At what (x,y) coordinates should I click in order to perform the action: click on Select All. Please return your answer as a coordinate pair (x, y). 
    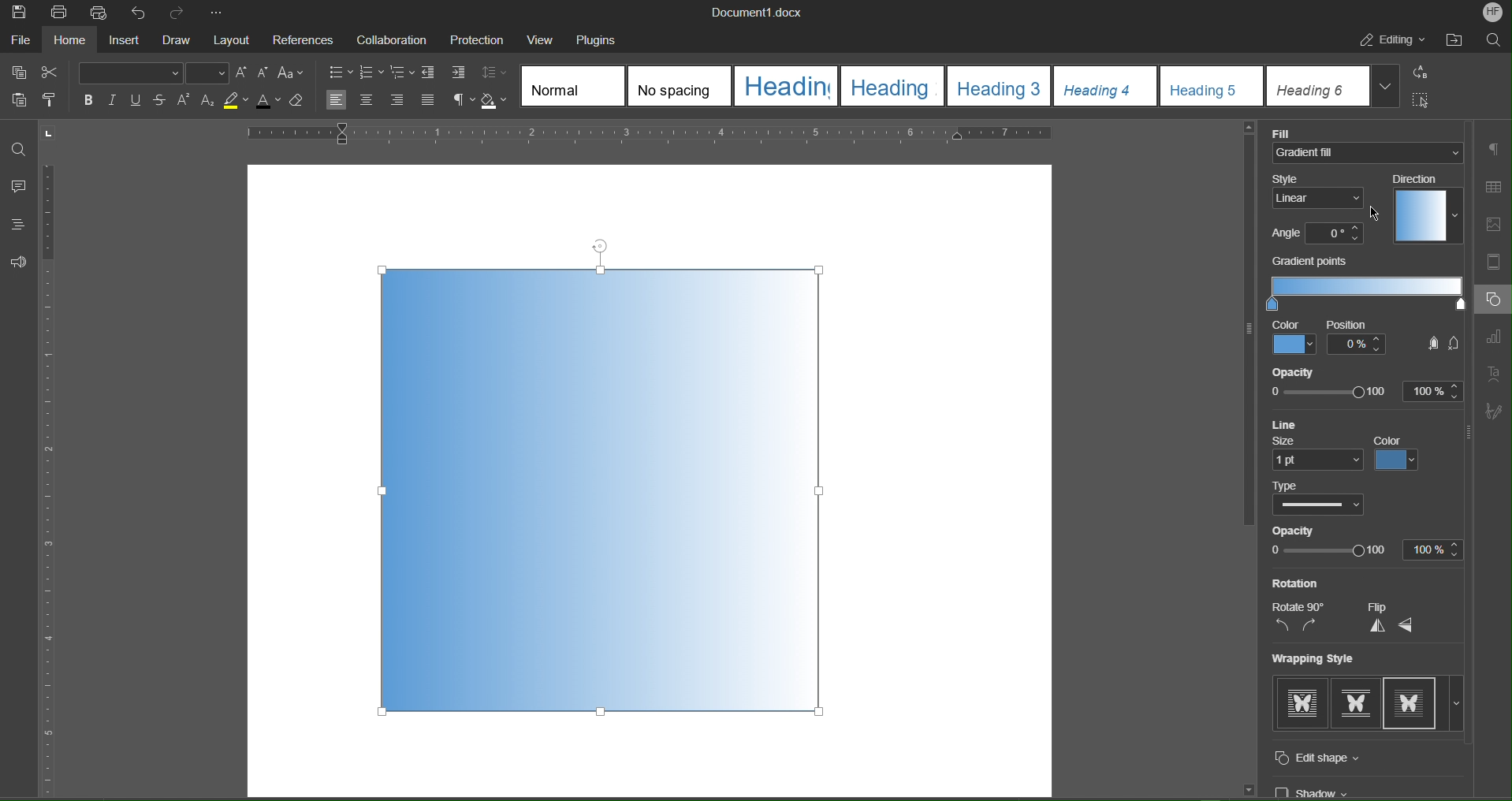
    Looking at the image, I should click on (1423, 99).